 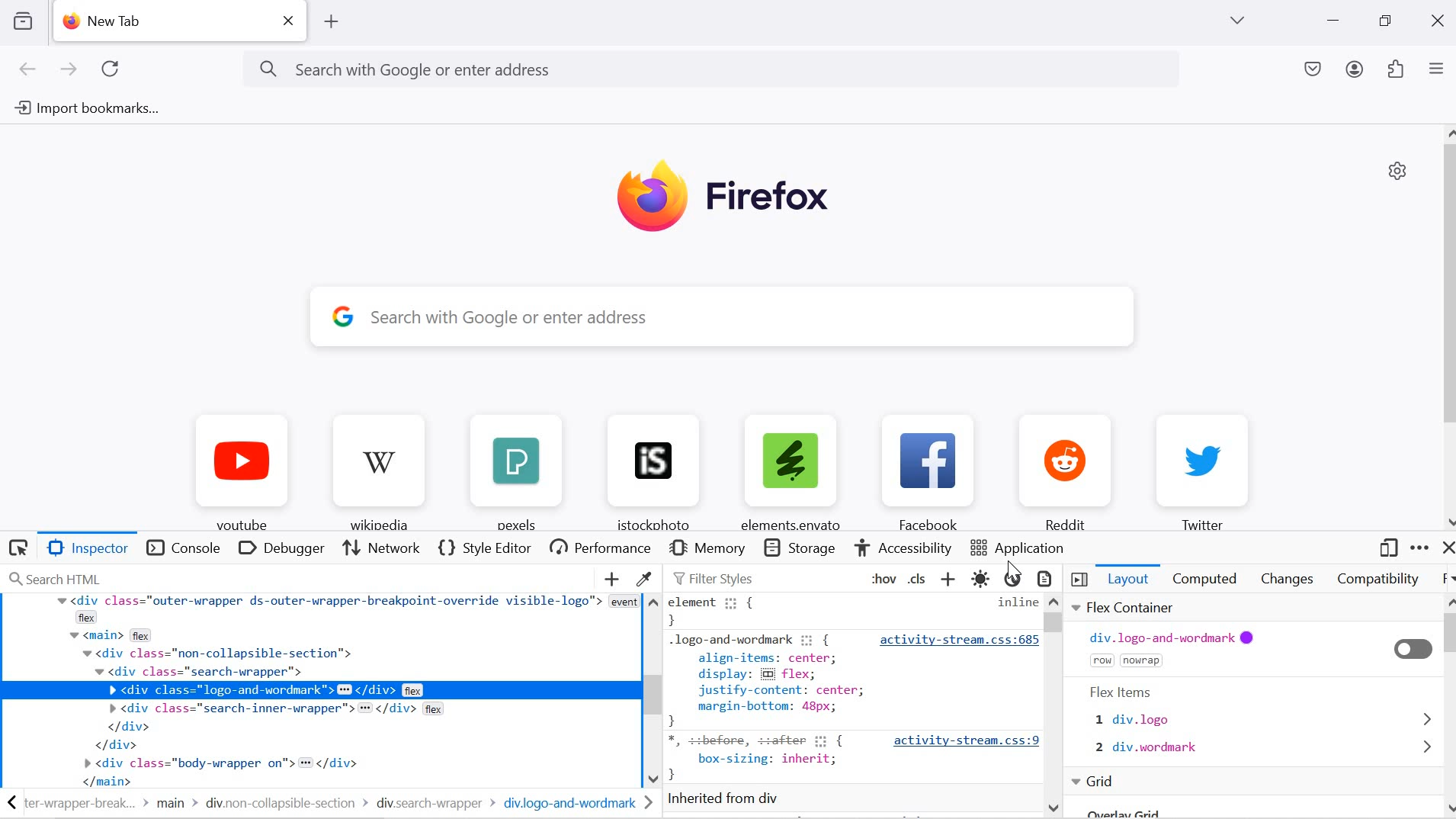 What do you see at coordinates (611, 579) in the screenshot?
I see `CREATE NEW NODE` at bounding box center [611, 579].